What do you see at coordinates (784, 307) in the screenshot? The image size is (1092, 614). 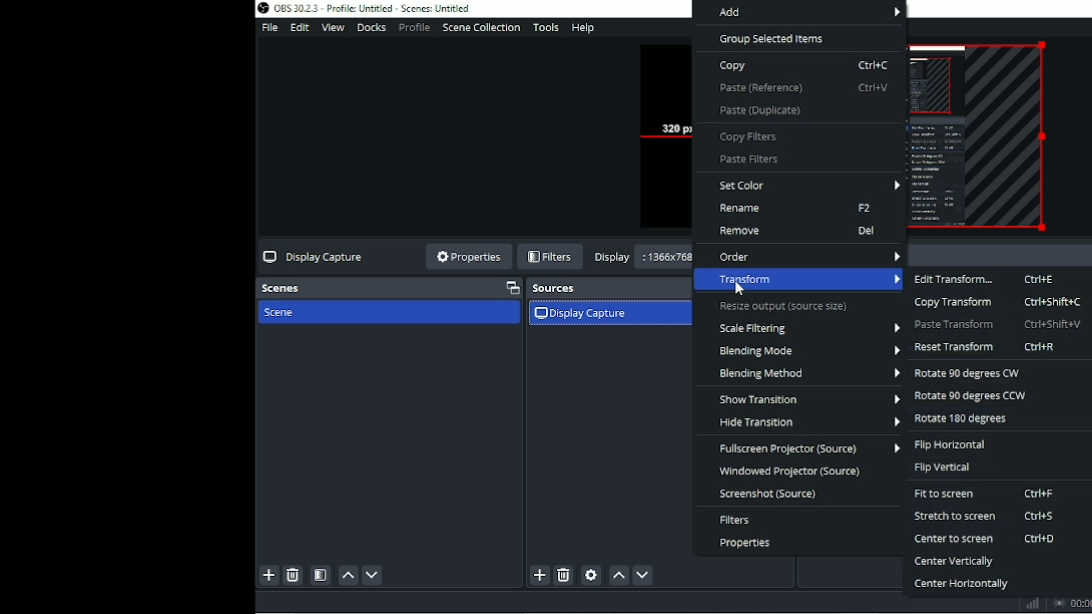 I see `Resize output` at bounding box center [784, 307].